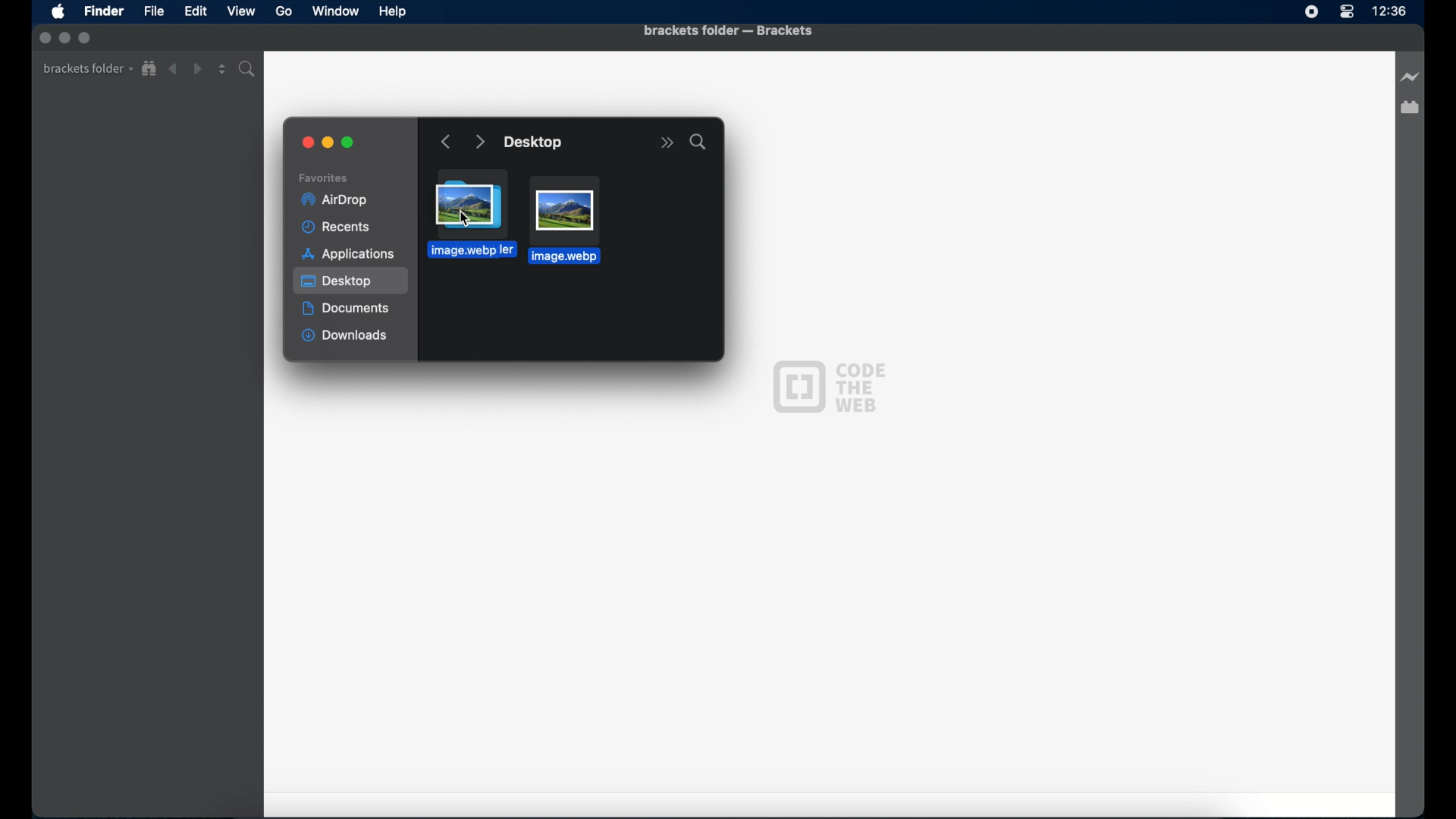 The image size is (1456, 819). What do you see at coordinates (64, 39) in the screenshot?
I see `inactive minimize button` at bounding box center [64, 39].